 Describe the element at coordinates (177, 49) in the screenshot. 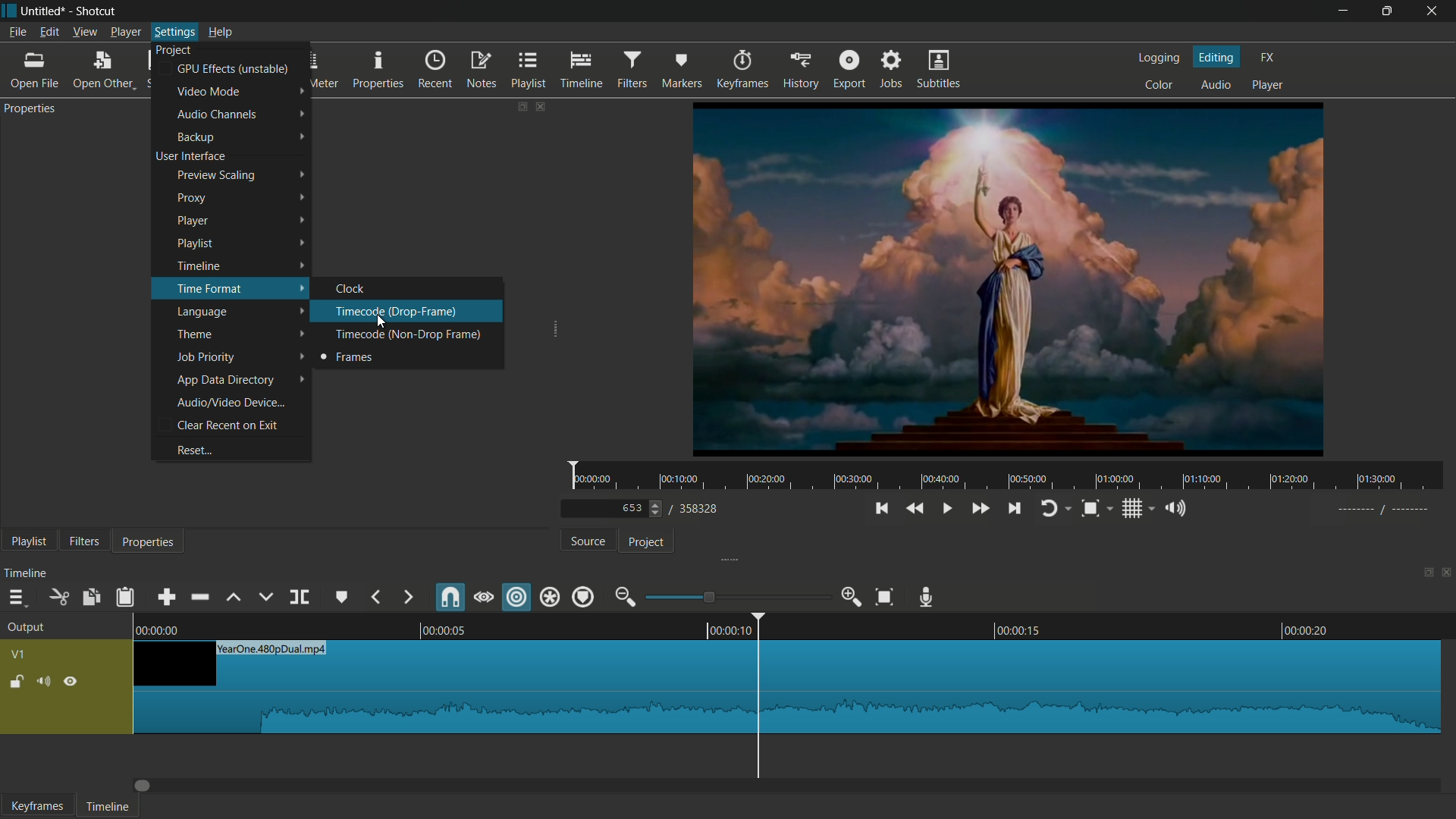

I see `project` at that location.